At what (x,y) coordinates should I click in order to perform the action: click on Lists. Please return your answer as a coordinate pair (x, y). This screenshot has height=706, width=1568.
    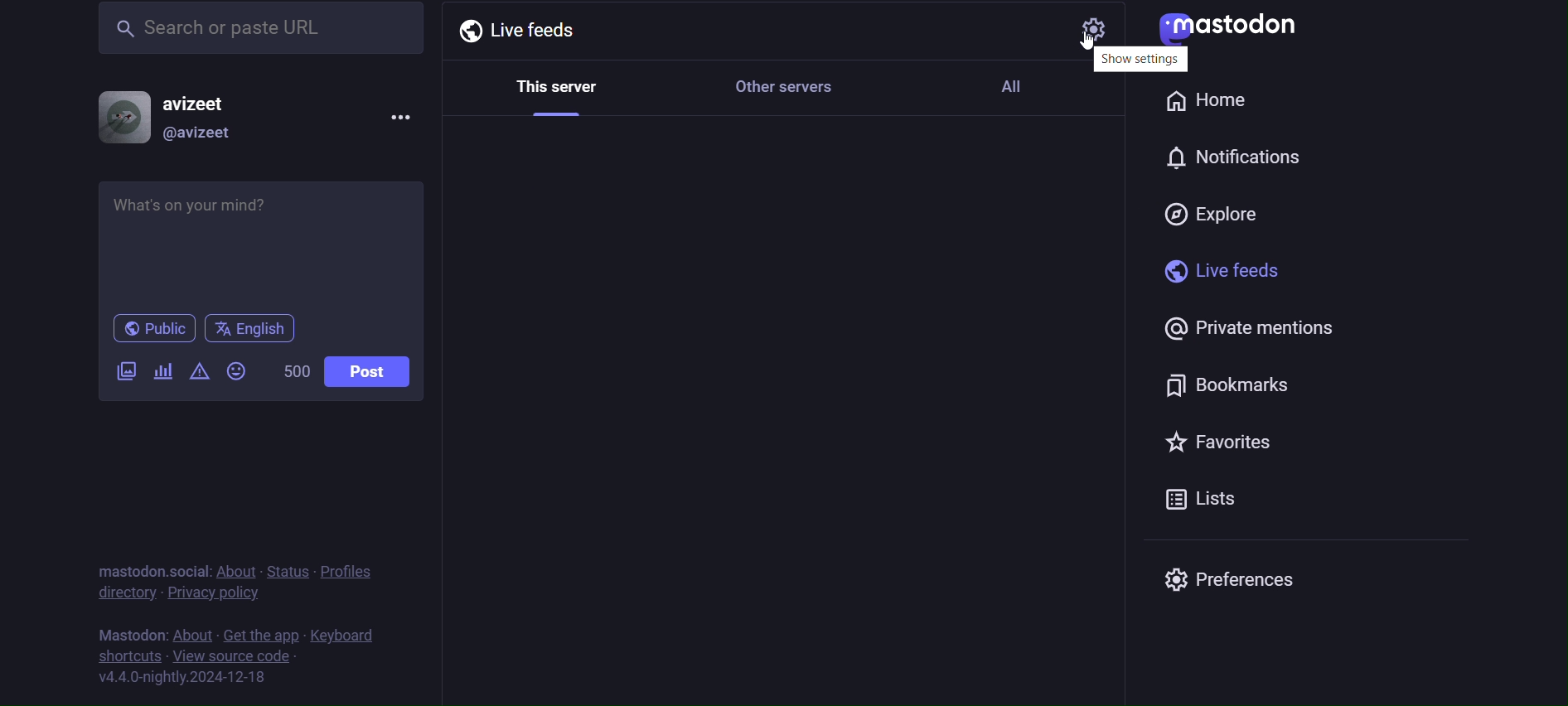
    Looking at the image, I should click on (1203, 498).